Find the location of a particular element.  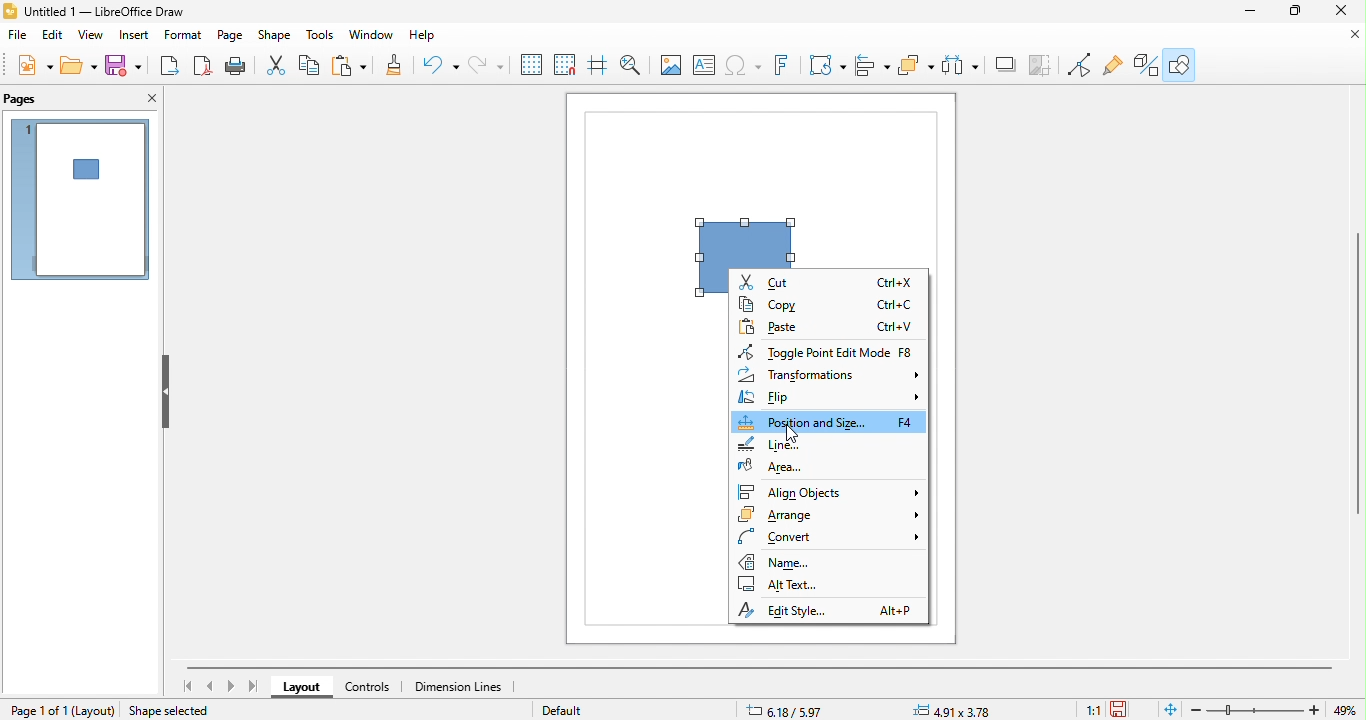

page 1 of 1 is located at coordinates (38, 710).